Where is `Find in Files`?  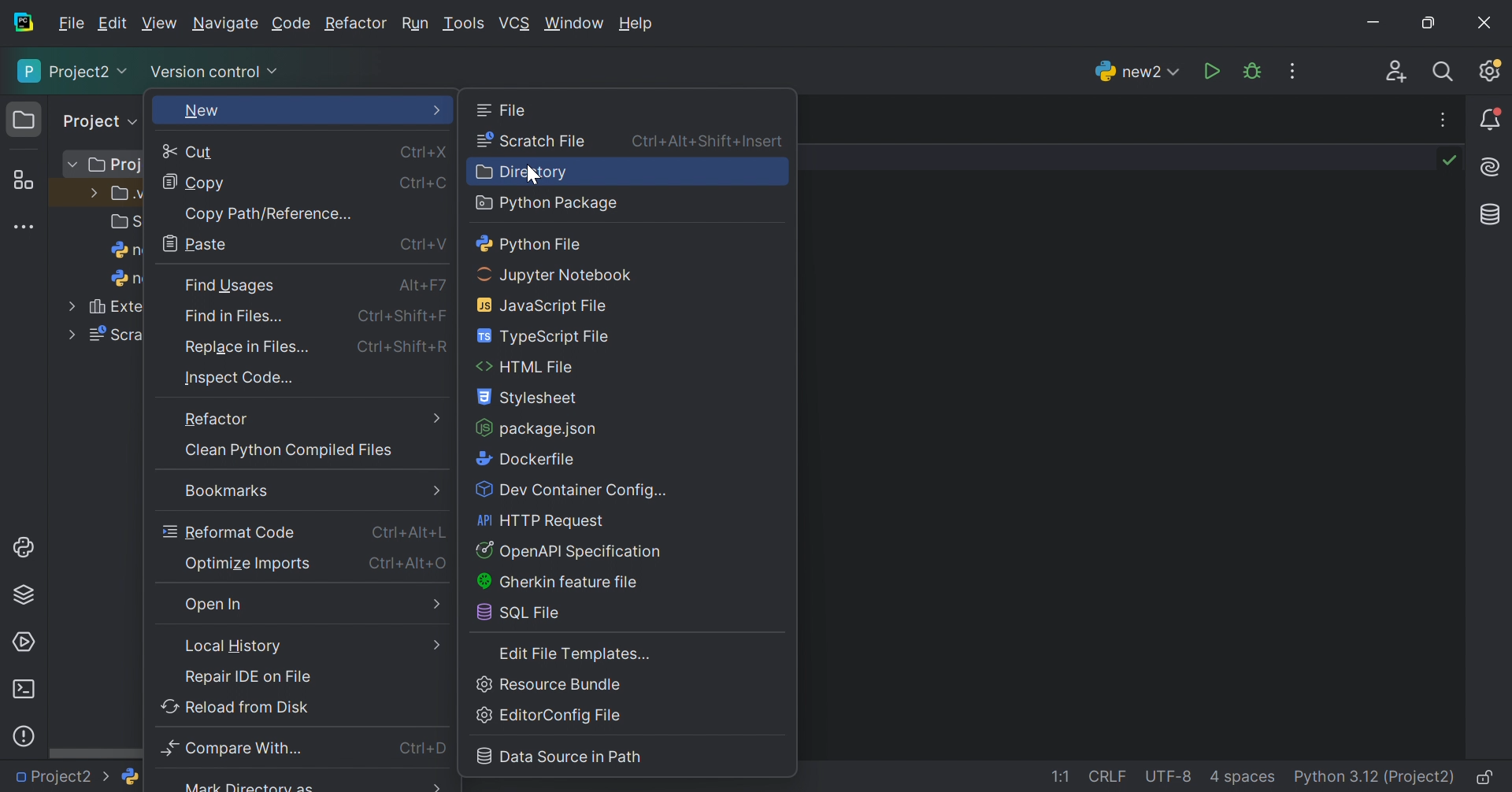
Find in Files is located at coordinates (234, 316).